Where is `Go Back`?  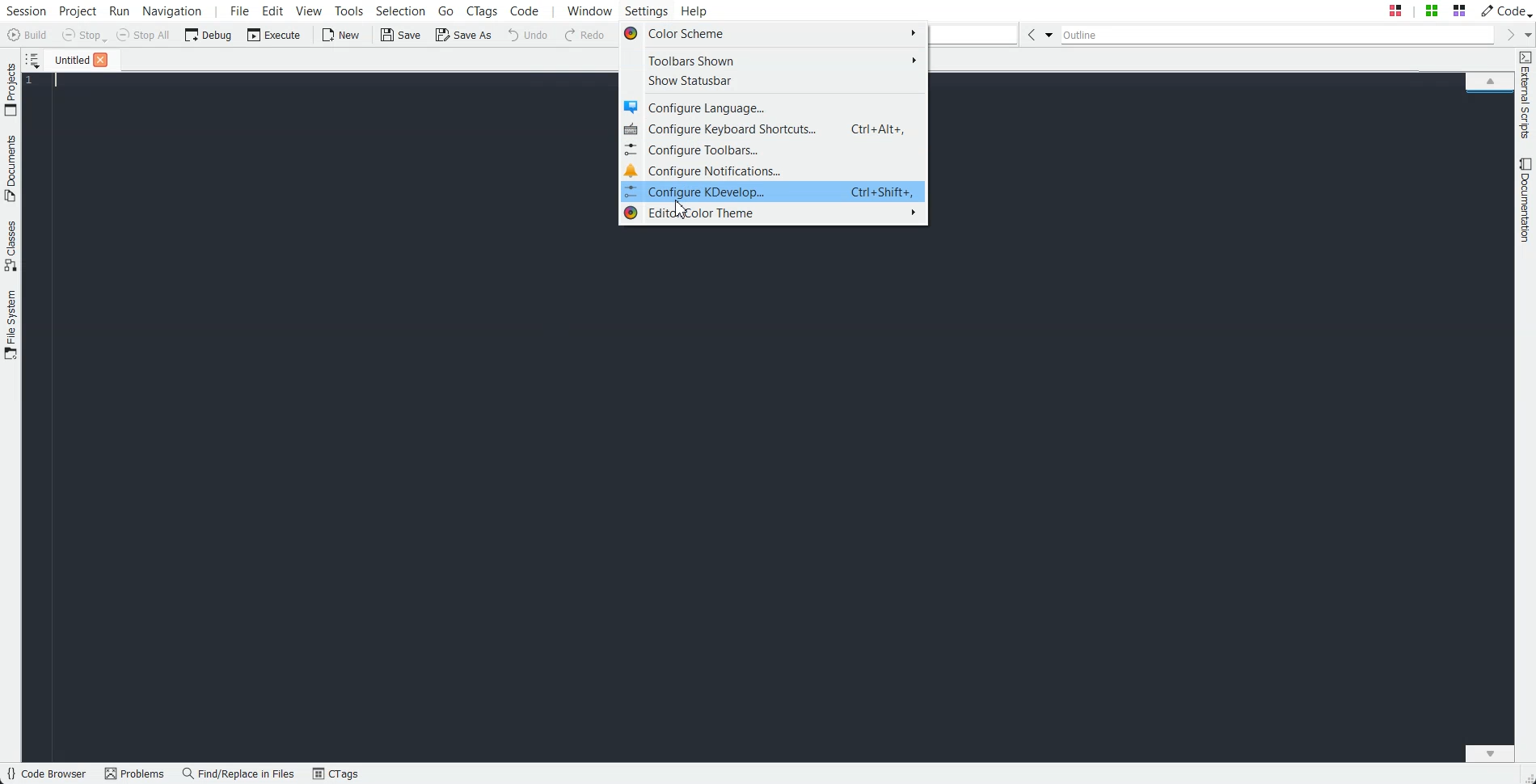
Go Back is located at coordinates (1031, 34).